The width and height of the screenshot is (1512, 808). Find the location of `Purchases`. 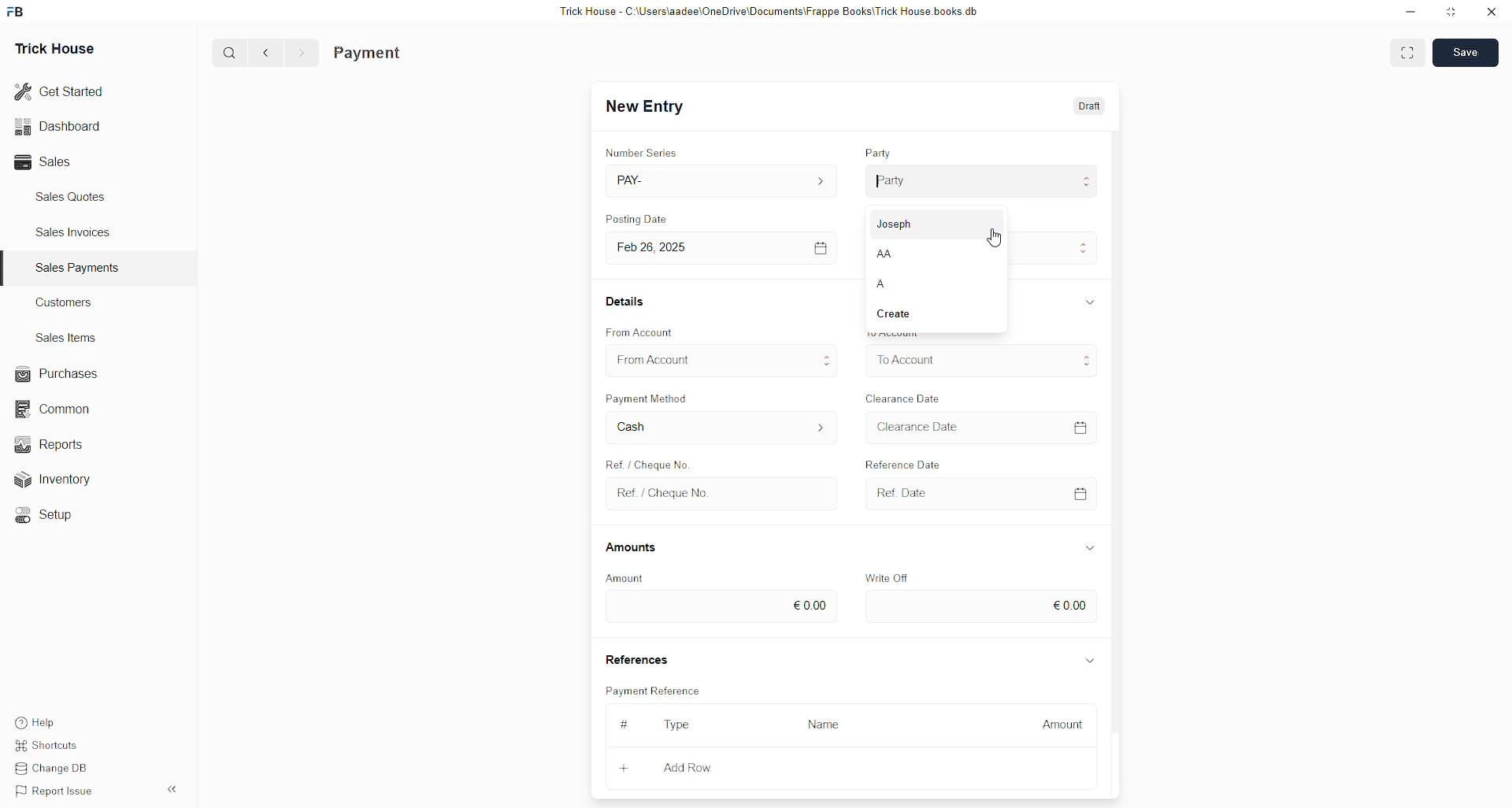

Purchases is located at coordinates (60, 374).